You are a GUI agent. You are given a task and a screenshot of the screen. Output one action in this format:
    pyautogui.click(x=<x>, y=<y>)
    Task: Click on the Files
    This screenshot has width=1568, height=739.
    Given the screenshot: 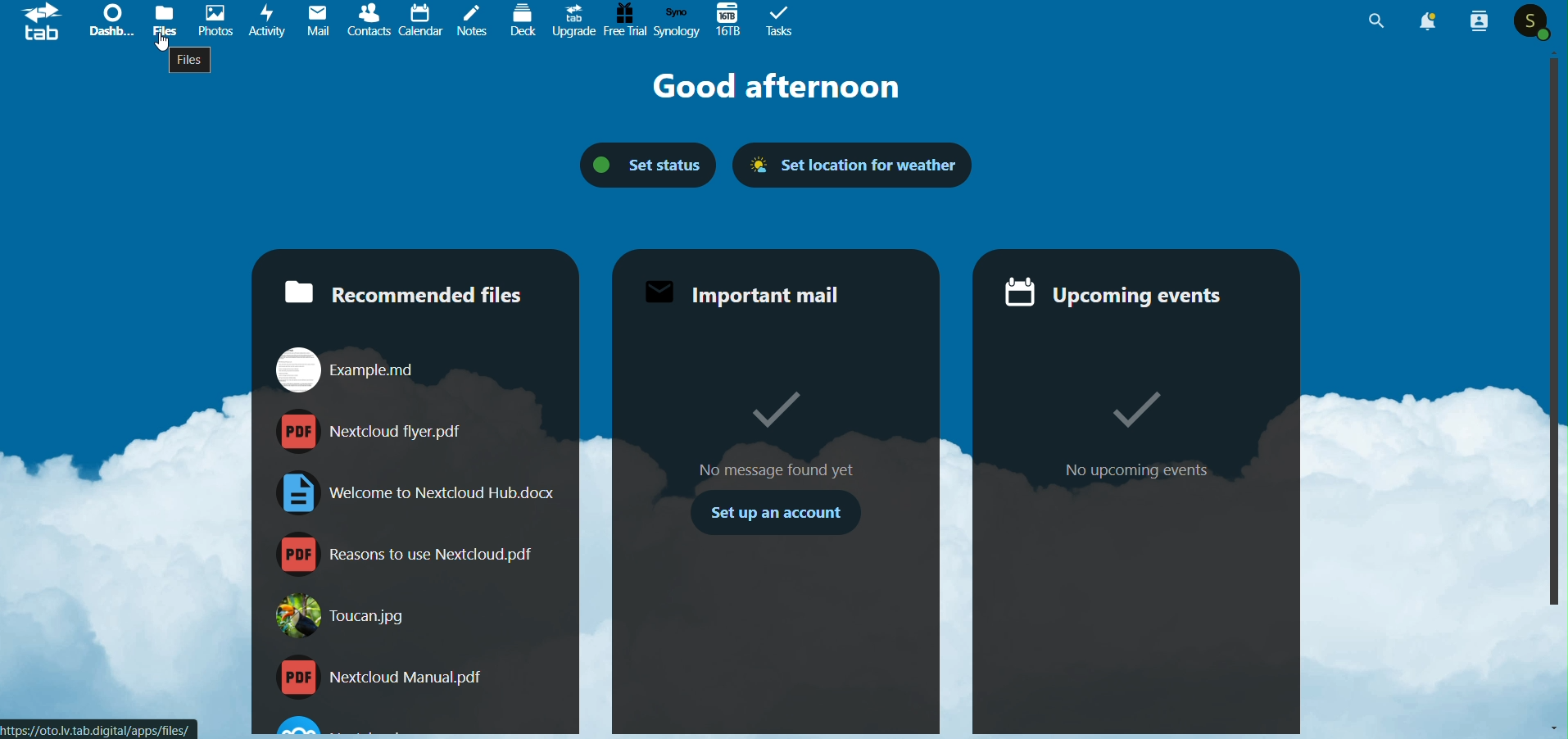 What is the action you would take?
    pyautogui.click(x=165, y=20)
    